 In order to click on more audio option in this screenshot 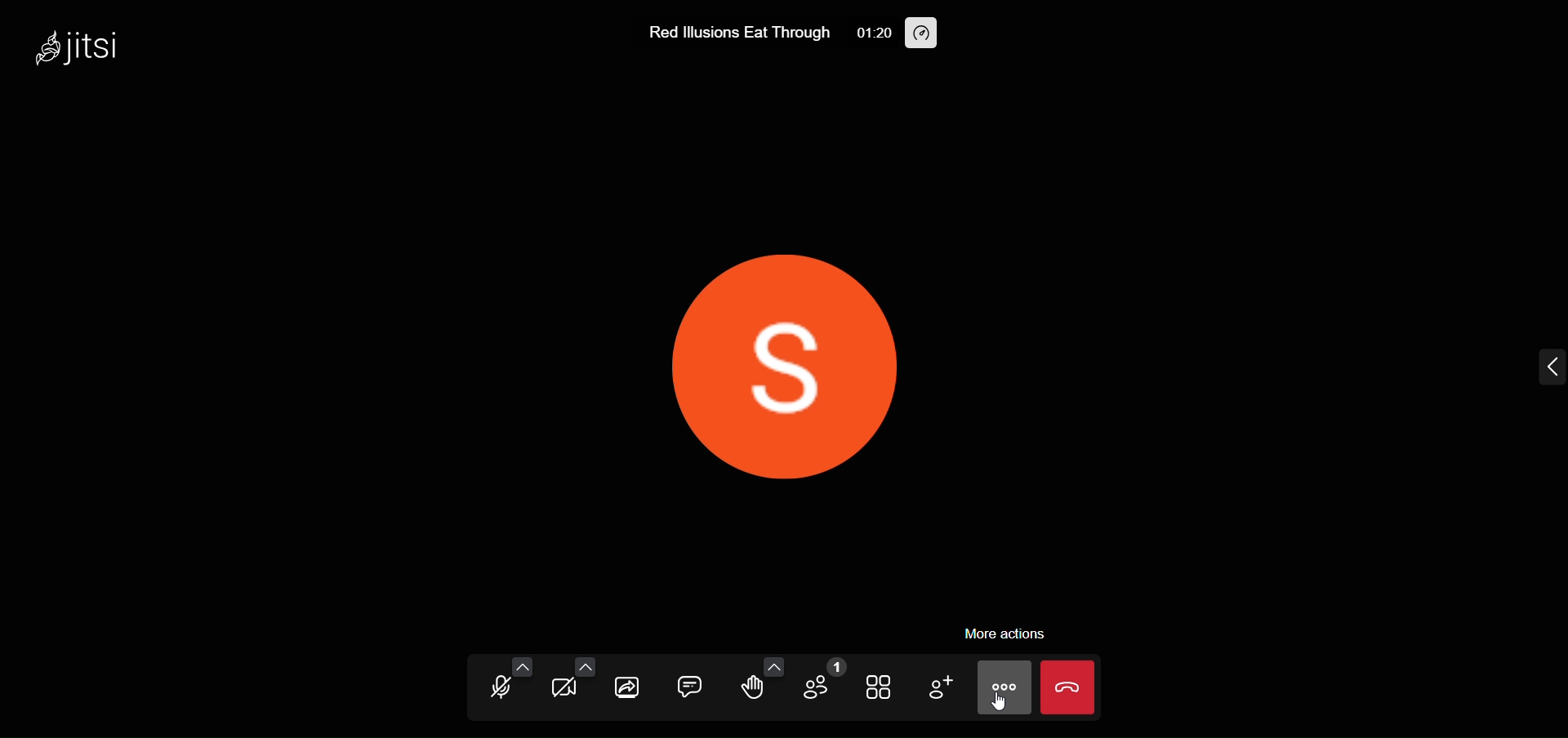, I will do `click(525, 664)`.